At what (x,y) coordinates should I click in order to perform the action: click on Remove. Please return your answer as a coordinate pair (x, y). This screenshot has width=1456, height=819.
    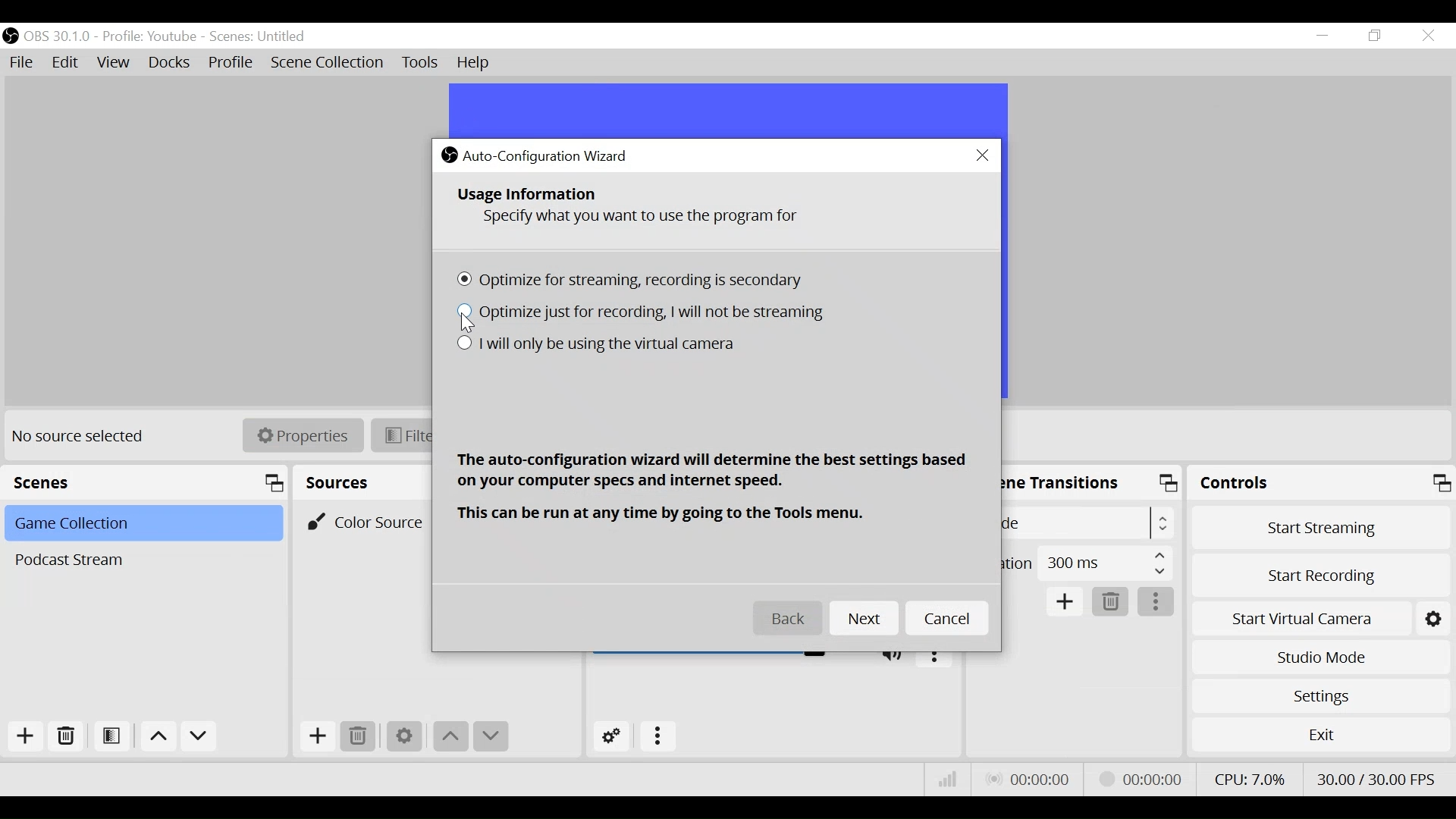
    Looking at the image, I should click on (64, 736).